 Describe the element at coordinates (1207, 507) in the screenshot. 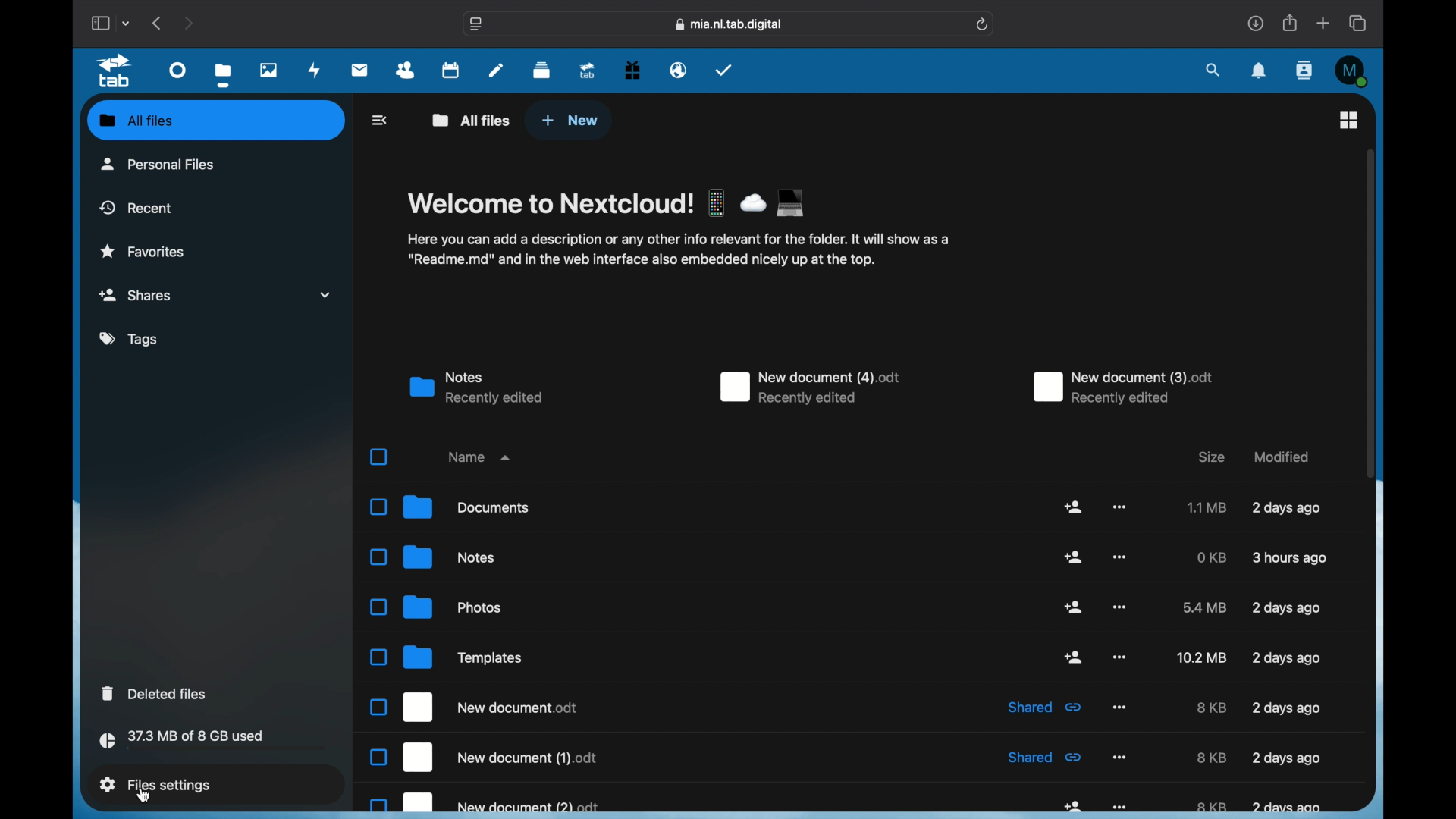

I see `size` at that location.